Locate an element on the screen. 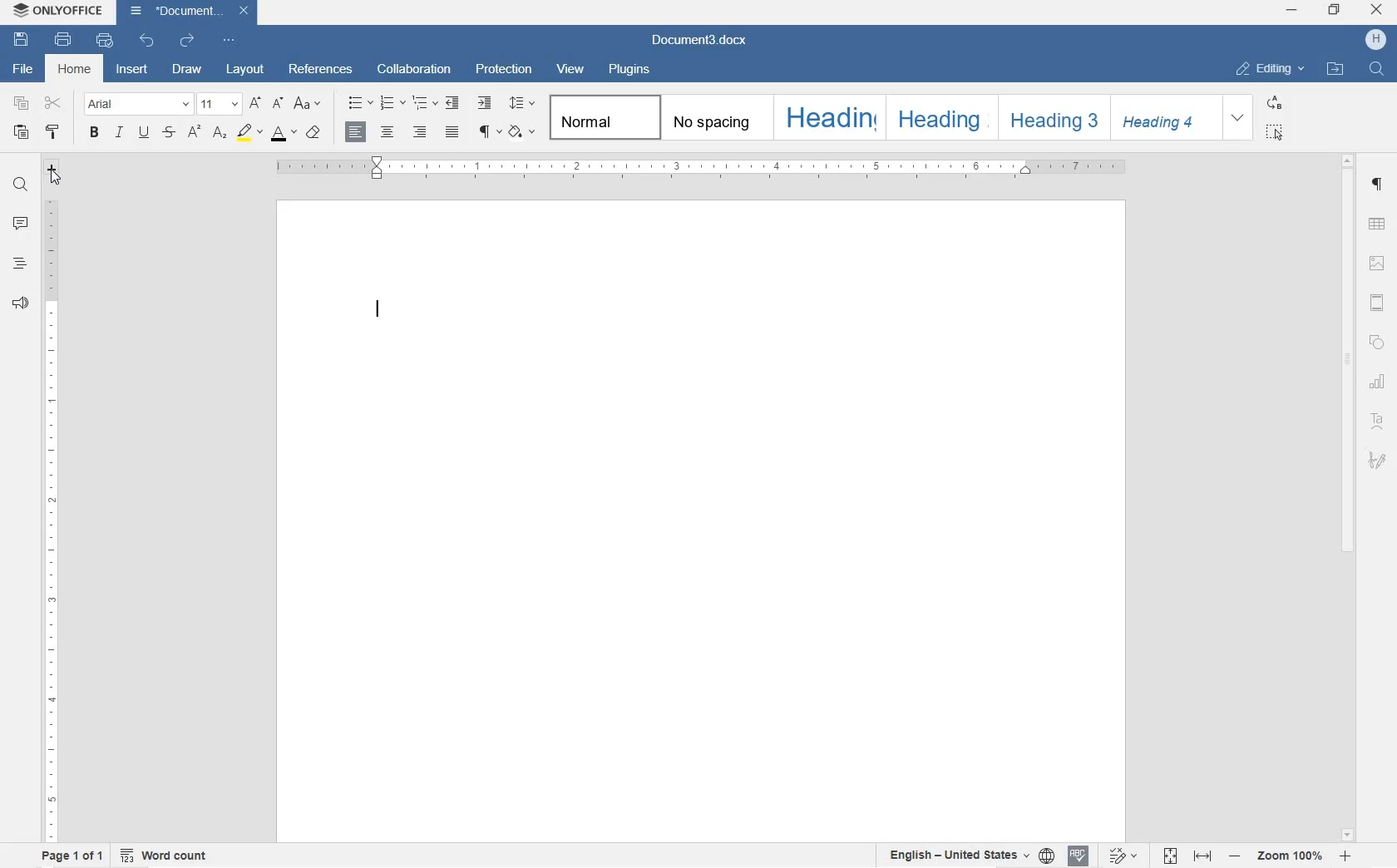 This screenshot has width=1397, height=868. TABLE is located at coordinates (1377, 223).